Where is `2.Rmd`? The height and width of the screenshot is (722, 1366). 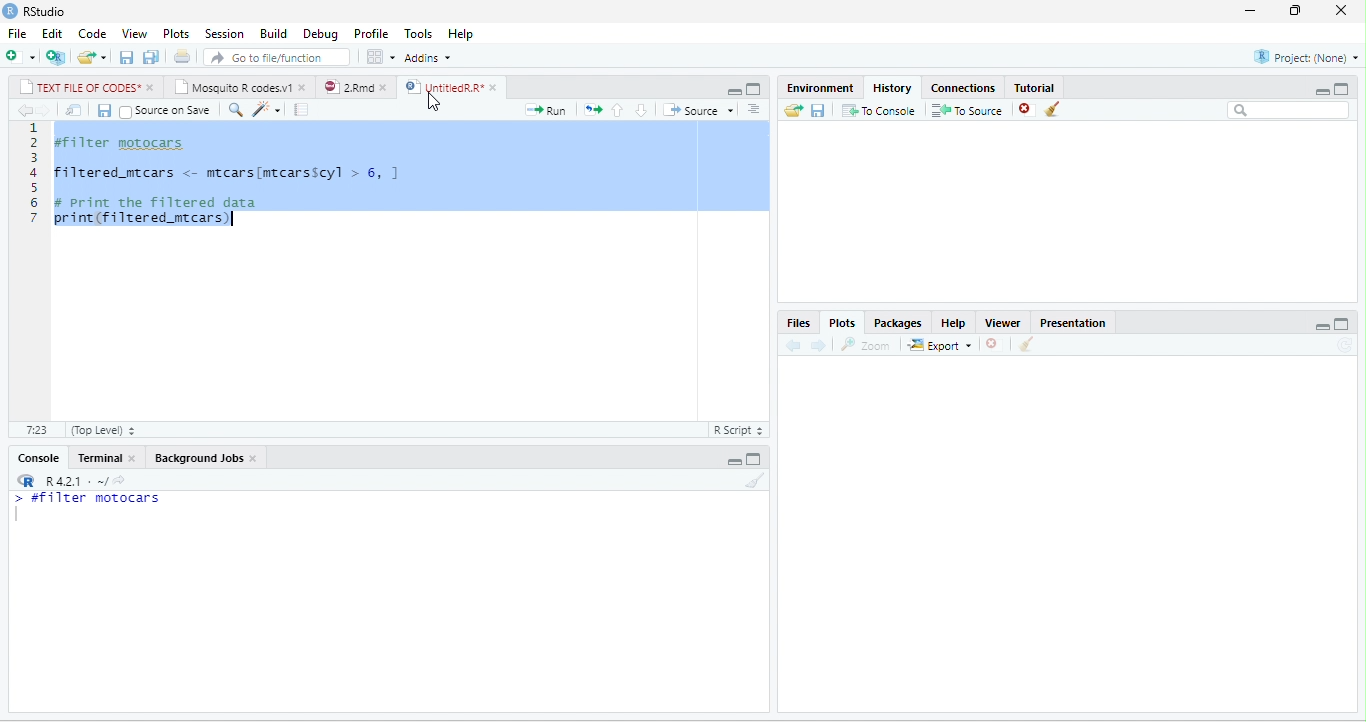 2.Rmd is located at coordinates (348, 87).